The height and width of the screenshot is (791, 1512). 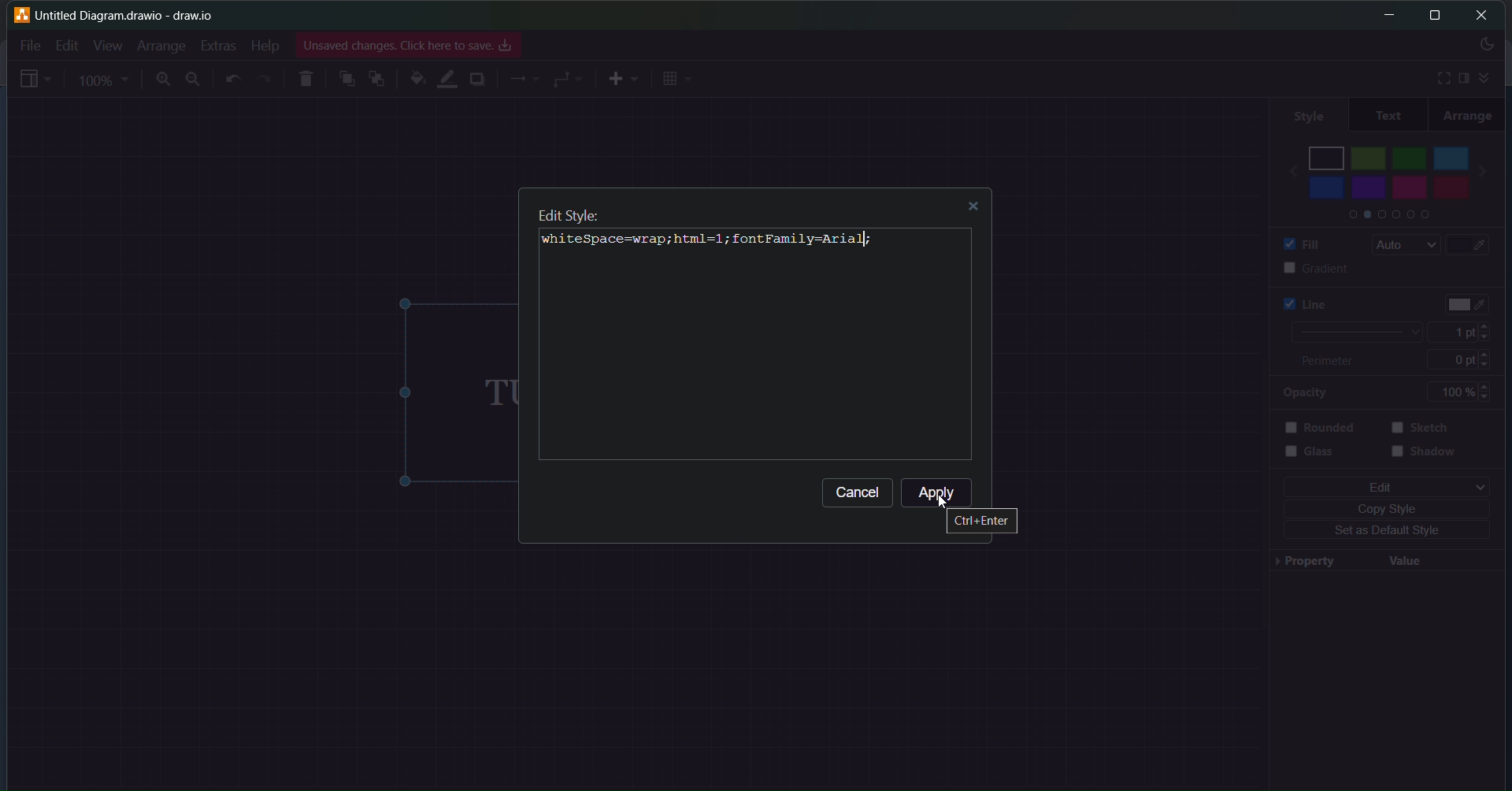 What do you see at coordinates (220, 43) in the screenshot?
I see `Extras` at bounding box center [220, 43].